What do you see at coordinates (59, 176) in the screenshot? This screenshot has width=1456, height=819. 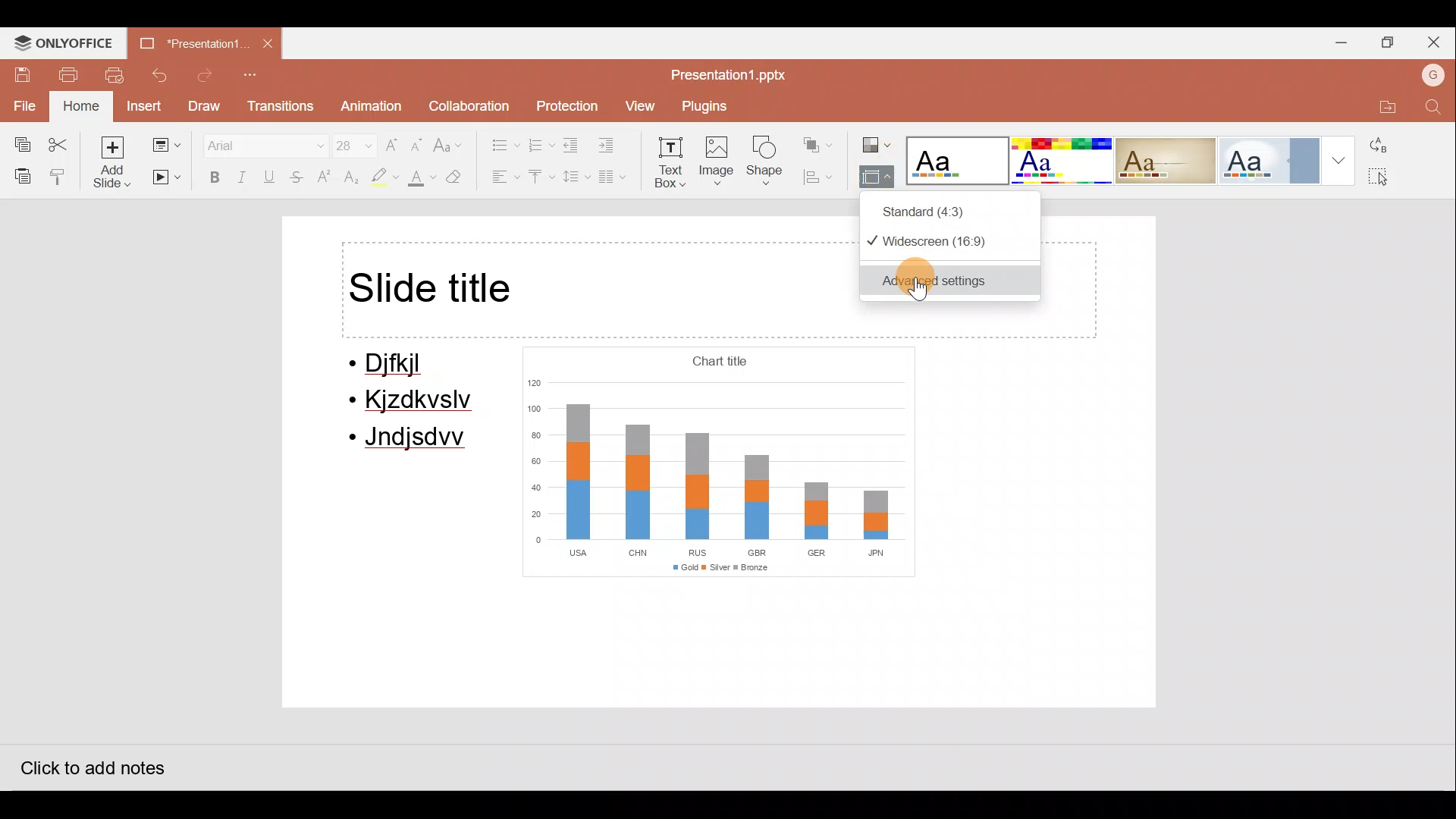 I see `Copy style` at bounding box center [59, 176].